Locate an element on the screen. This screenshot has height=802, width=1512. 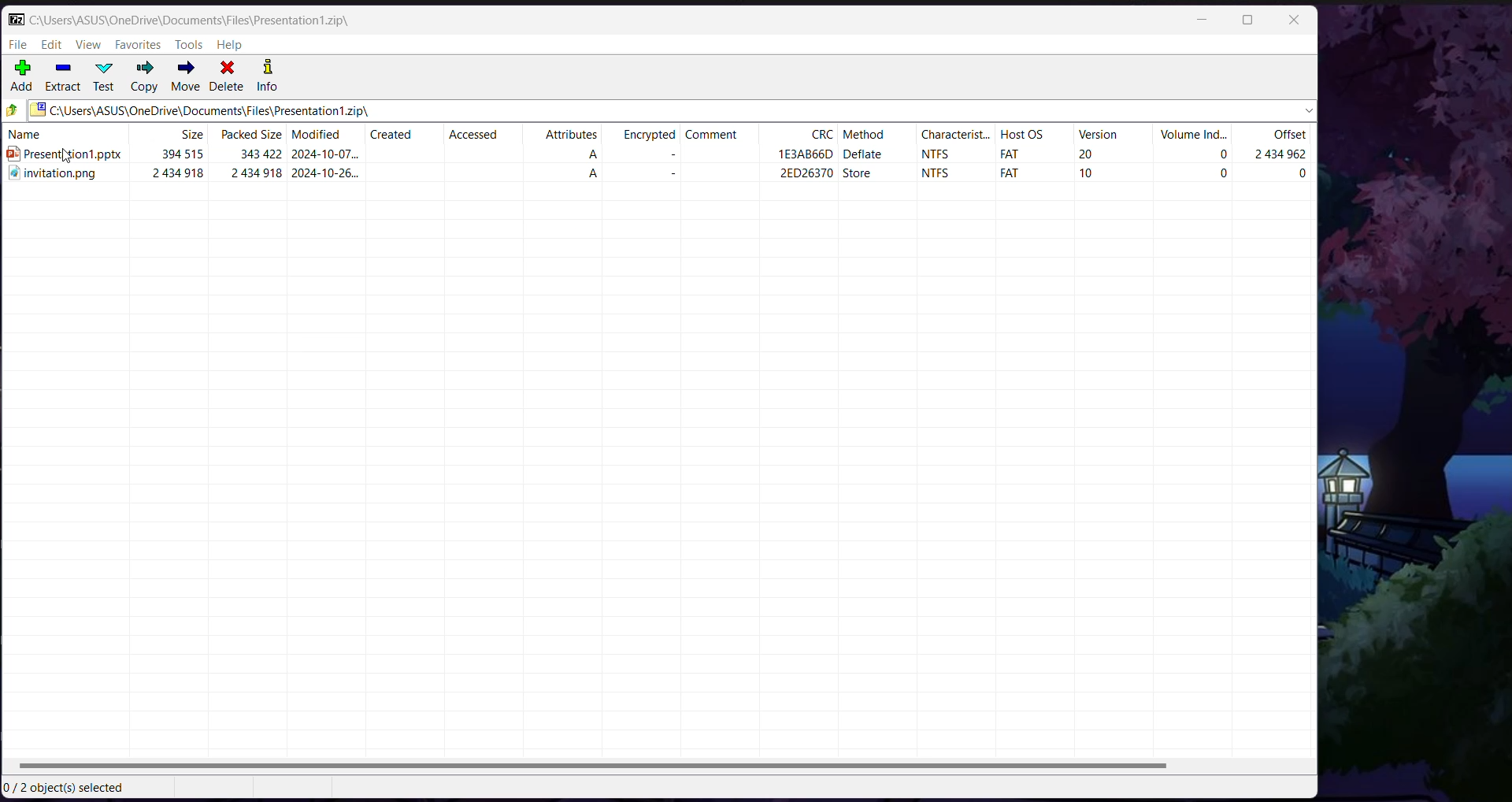
 2024-10-26... is located at coordinates (329, 176).